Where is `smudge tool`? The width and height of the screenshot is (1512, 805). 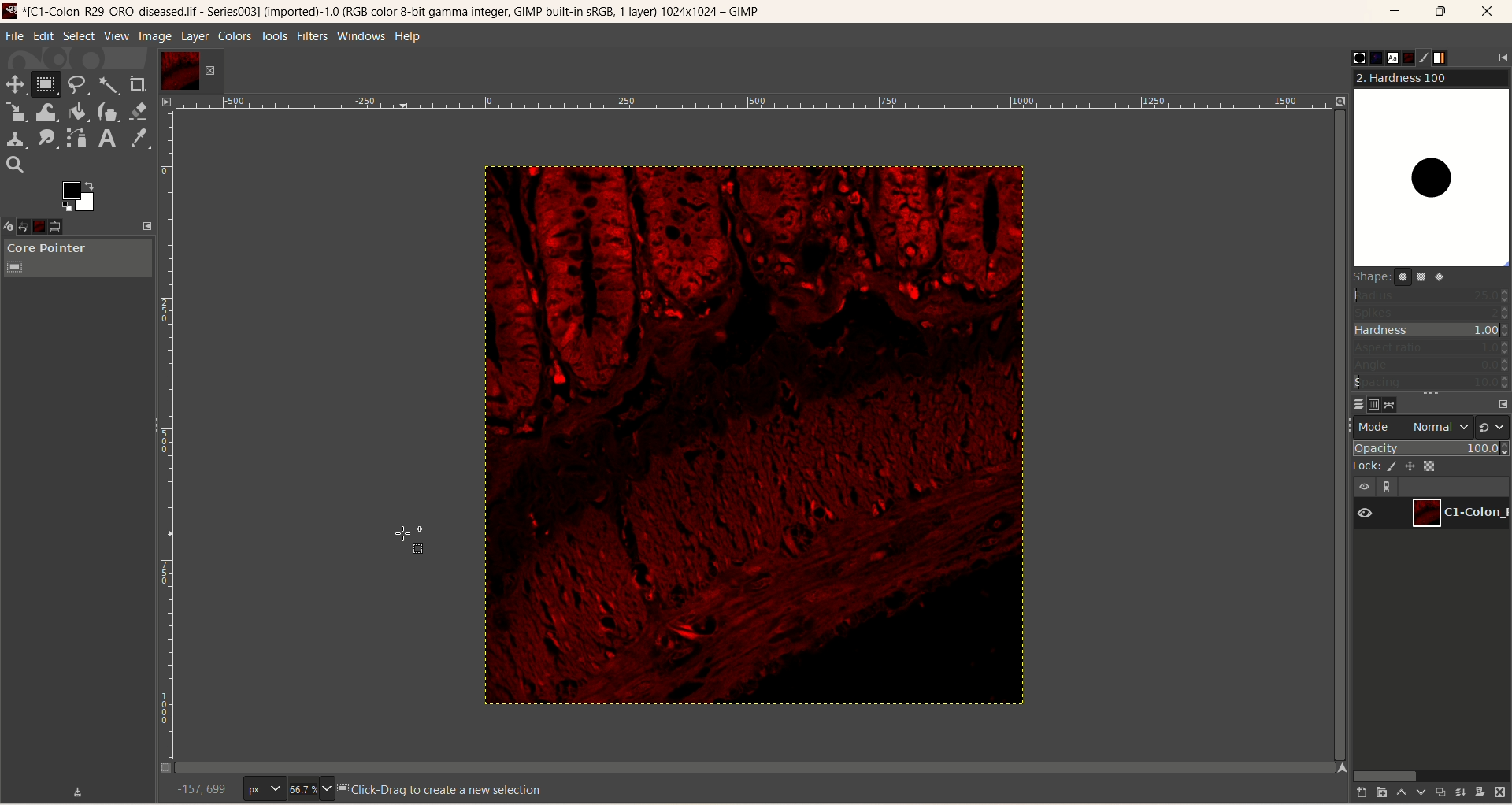
smudge tool is located at coordinates (47, 138).